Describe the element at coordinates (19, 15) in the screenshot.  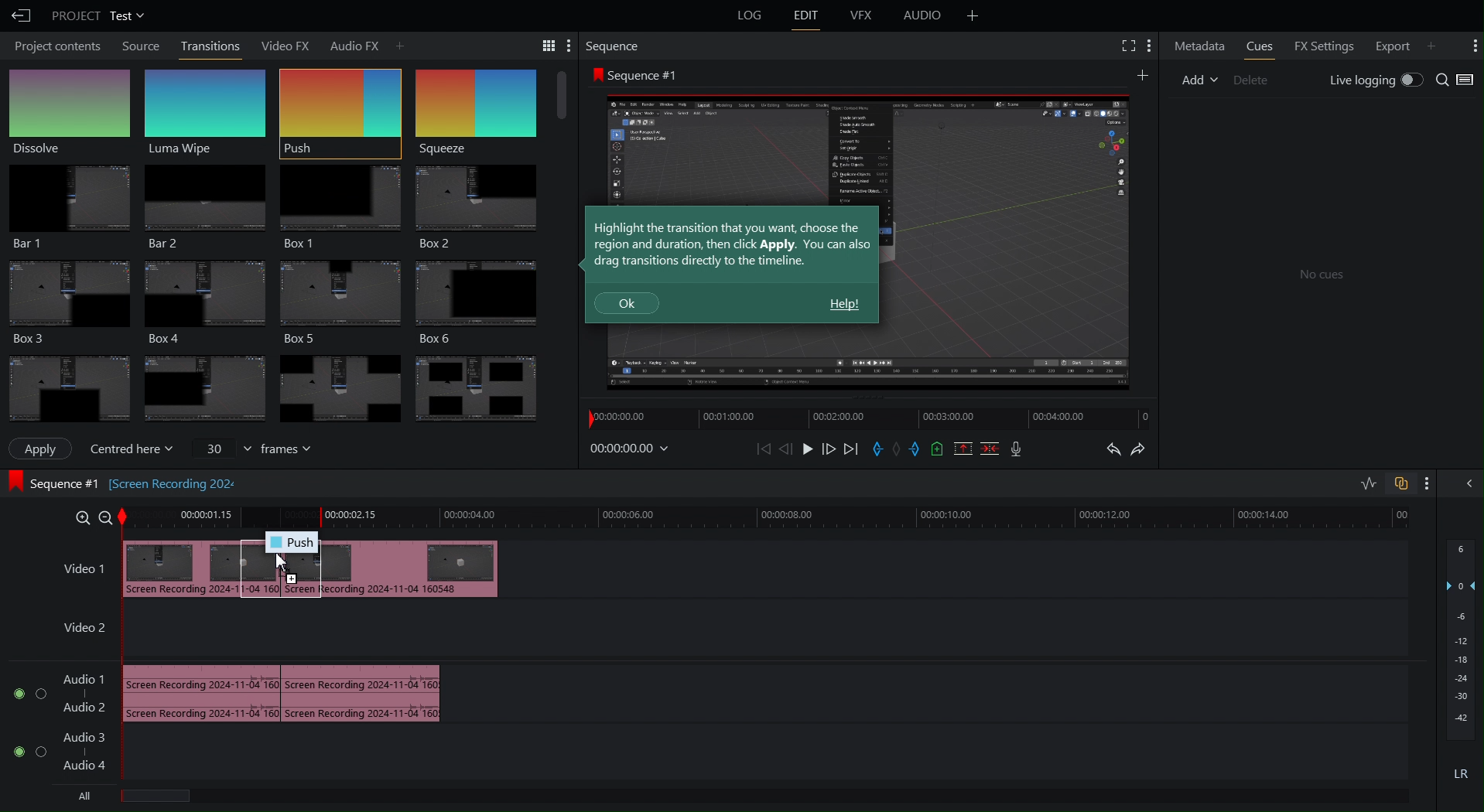
I see `Back` at that location.